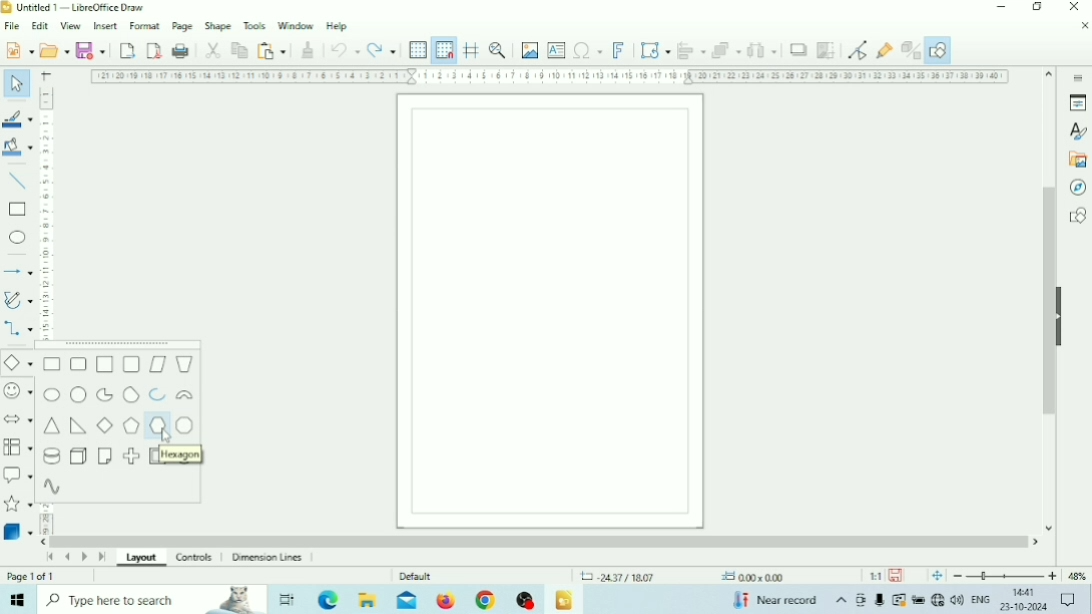  Describe the element at coordinates (1076, 160) in the screenshot. I see `Gallery` at that location.